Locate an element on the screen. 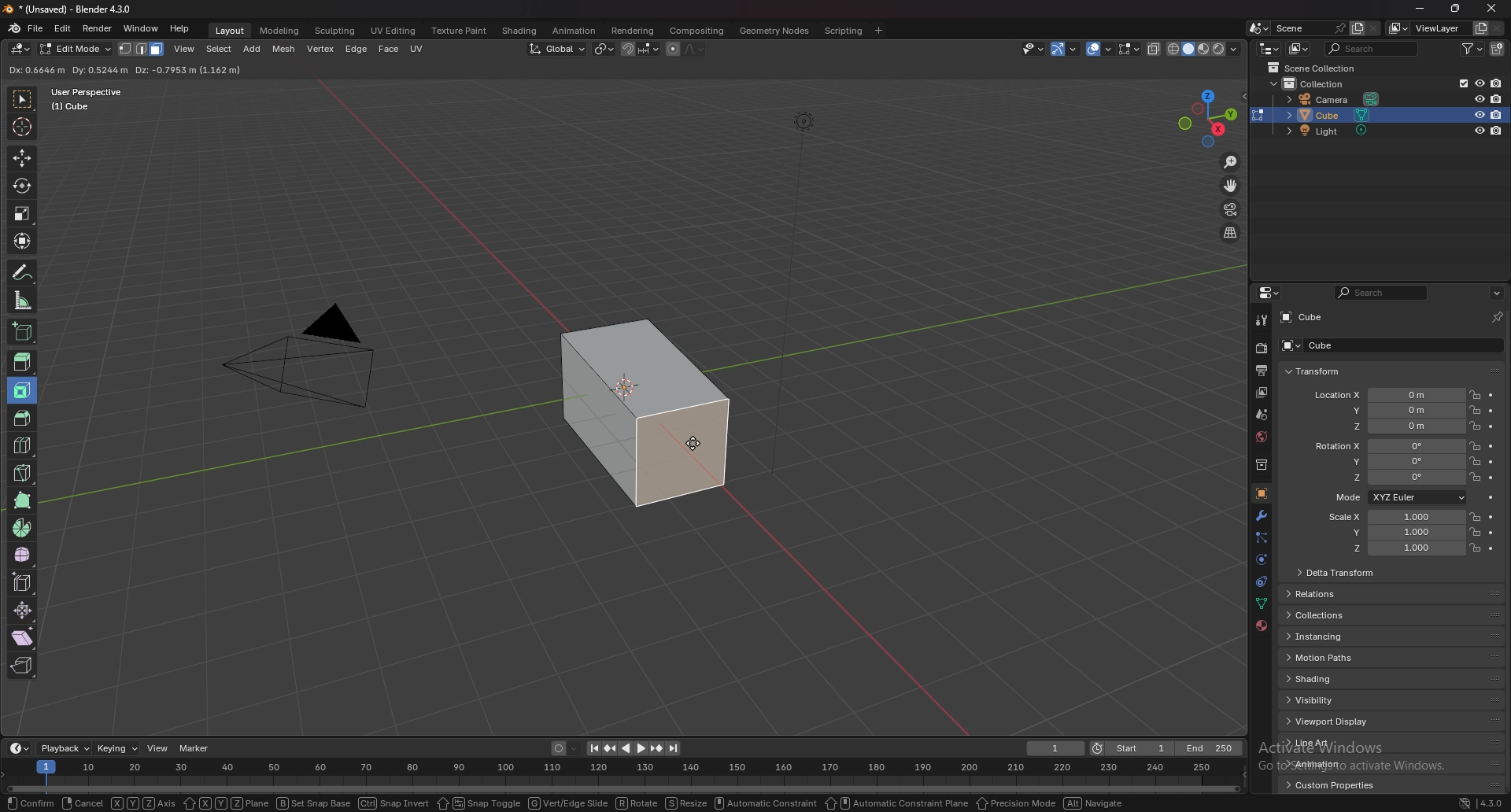 The width and height of the screenshot is (1511, 812). animate property is located at coordinates (1493, 549).